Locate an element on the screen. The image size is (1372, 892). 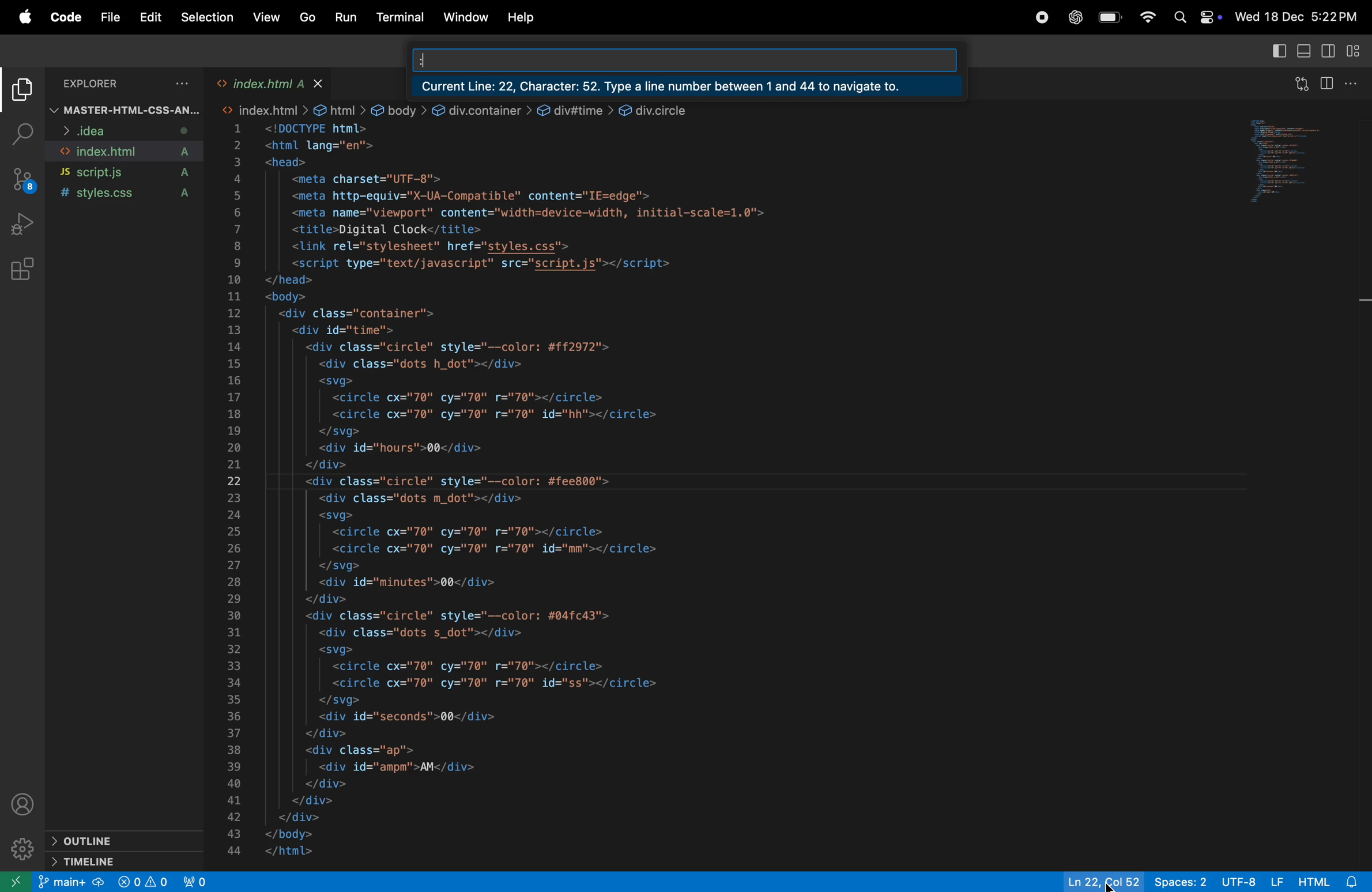
primary side bar is located at coordinates (1276, 52).